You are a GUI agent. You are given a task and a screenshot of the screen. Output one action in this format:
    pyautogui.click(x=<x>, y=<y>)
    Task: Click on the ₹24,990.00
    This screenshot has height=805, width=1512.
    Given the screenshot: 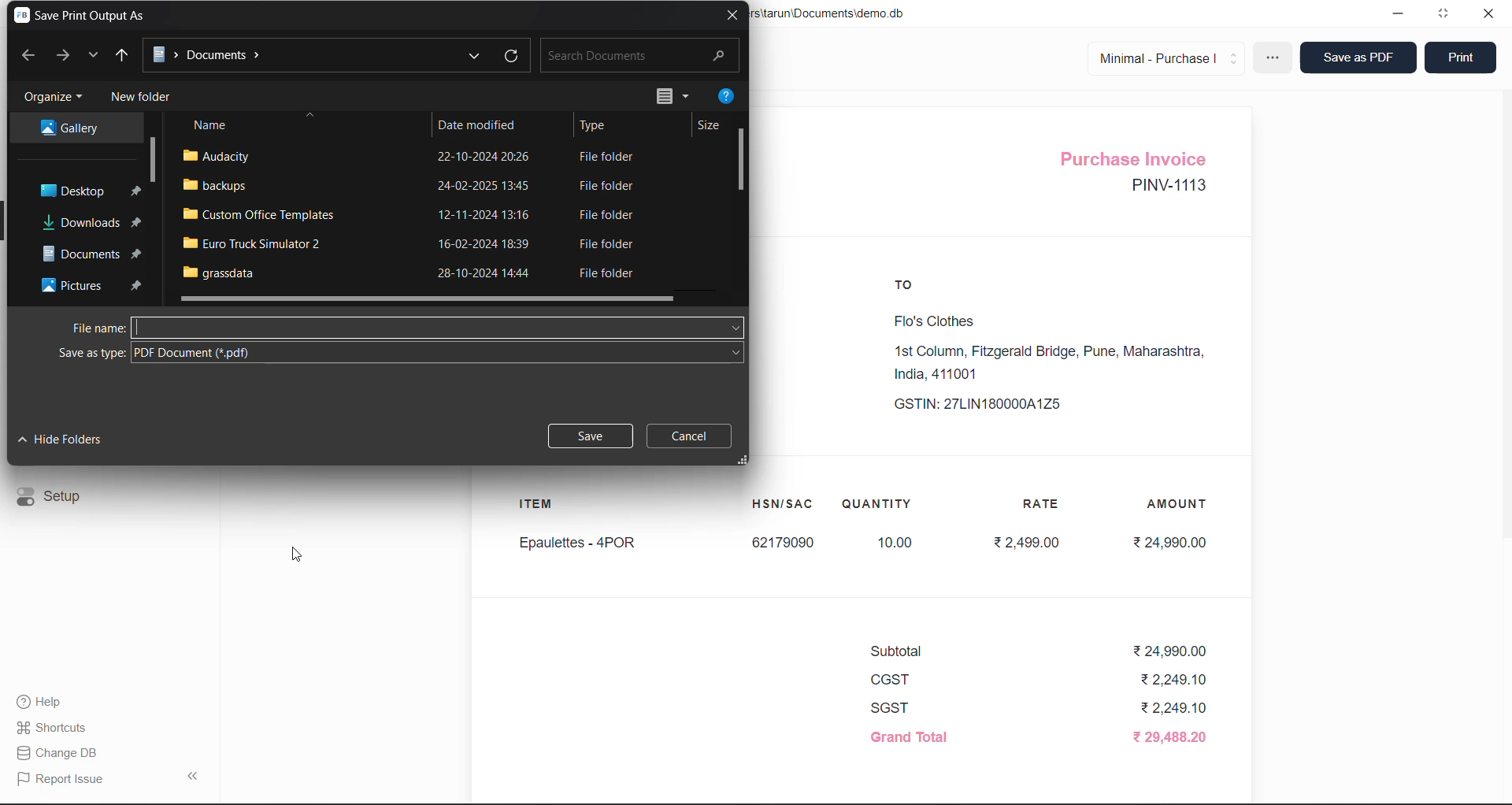 What is the action you would take?
    pyautogui.click(x=1177, y=544)
    